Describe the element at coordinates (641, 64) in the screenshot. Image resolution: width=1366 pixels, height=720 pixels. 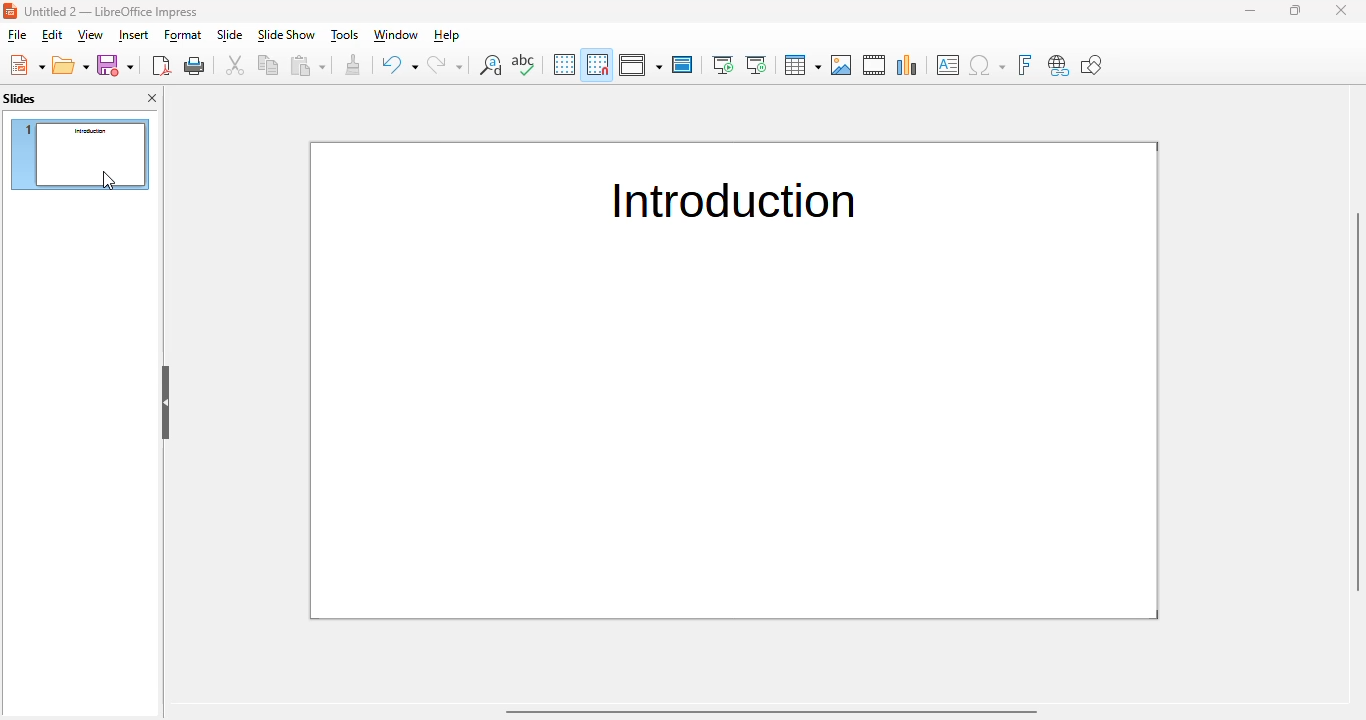
I see `display views` at that location.